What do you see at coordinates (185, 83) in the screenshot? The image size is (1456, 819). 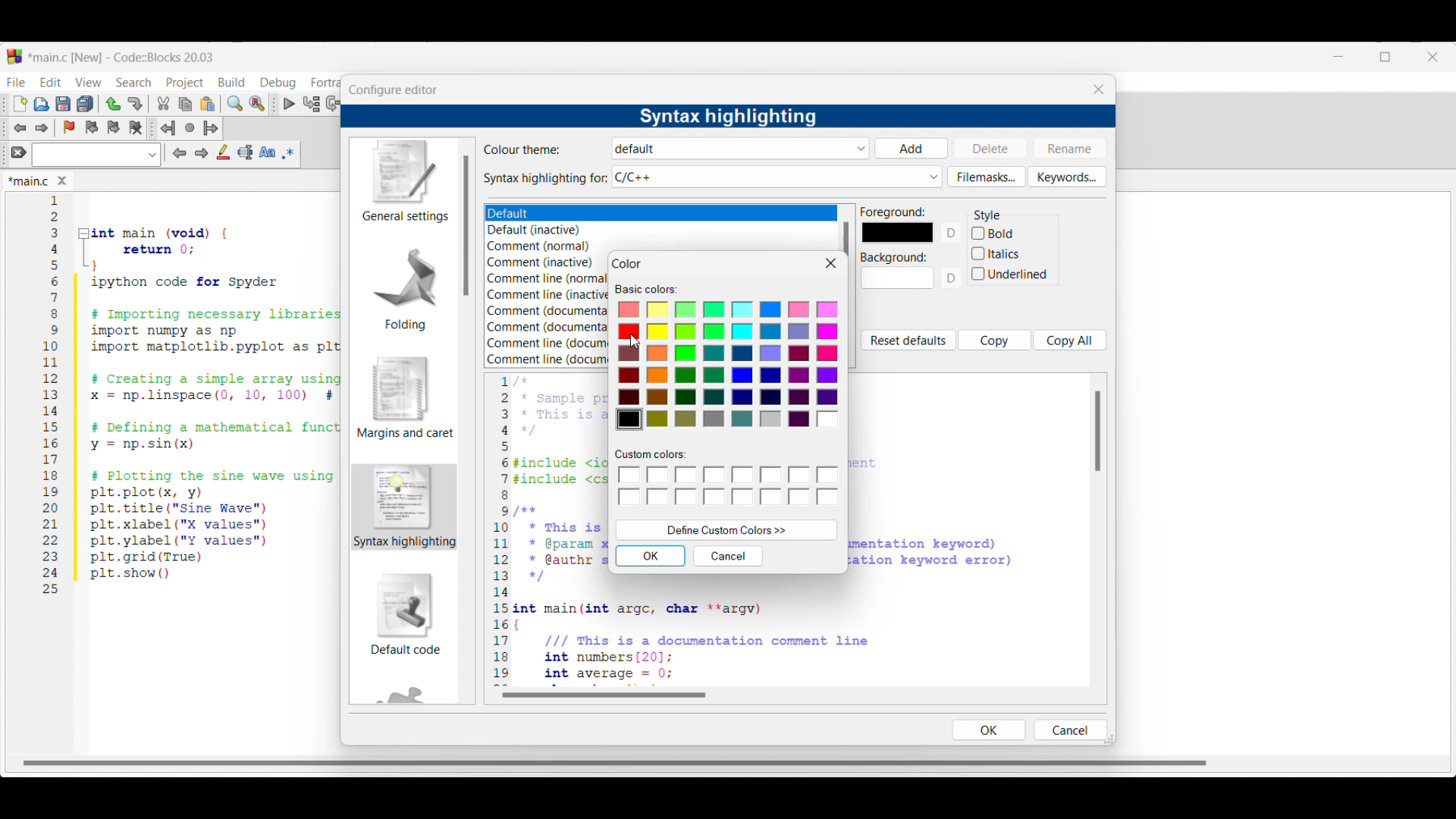 I see `Project menu` at bounding box center [185, 83].